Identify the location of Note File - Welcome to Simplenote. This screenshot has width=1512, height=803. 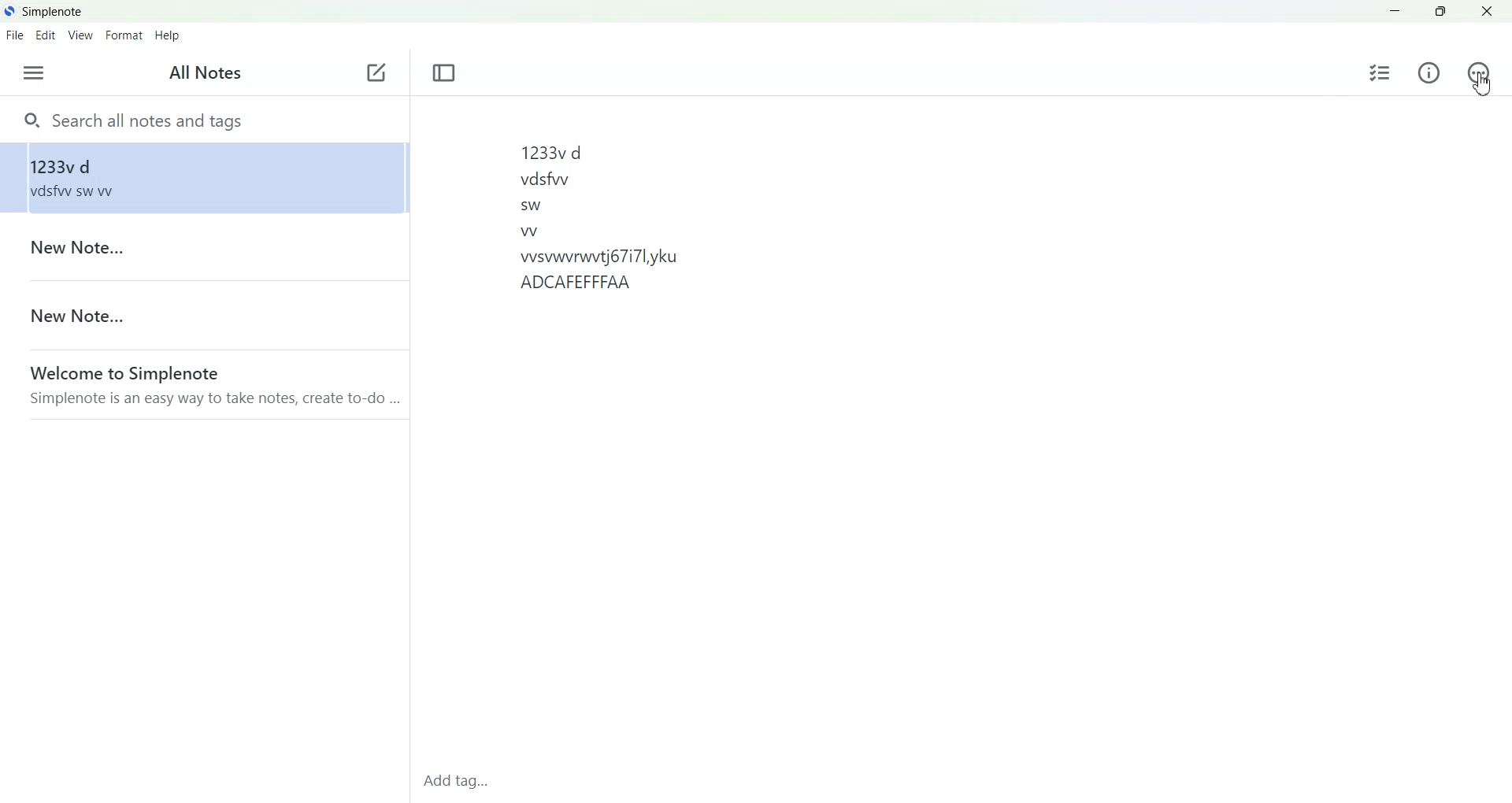
(203, 384).